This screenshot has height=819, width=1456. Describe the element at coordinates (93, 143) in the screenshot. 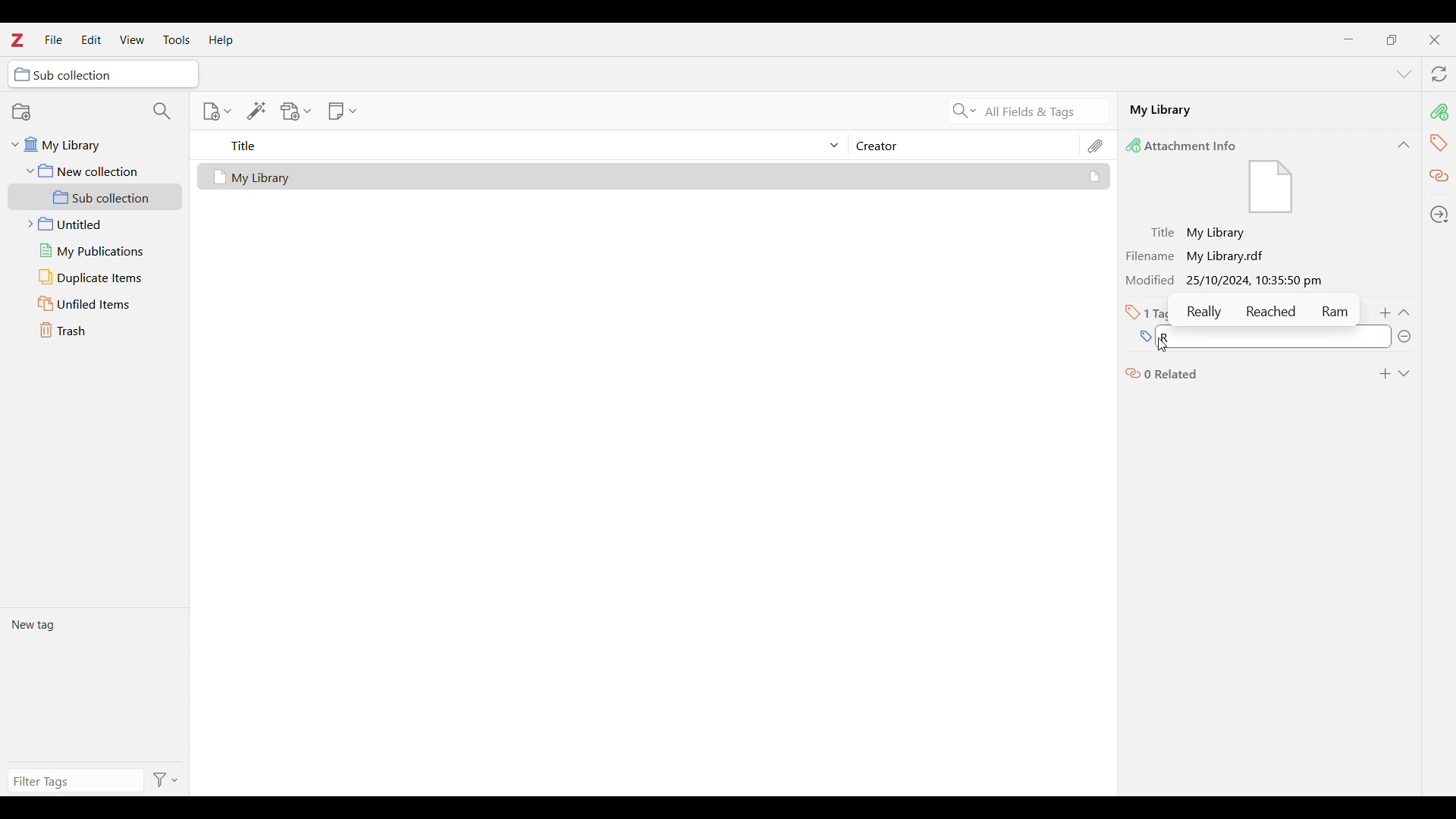

I see `My library folder` at that location.